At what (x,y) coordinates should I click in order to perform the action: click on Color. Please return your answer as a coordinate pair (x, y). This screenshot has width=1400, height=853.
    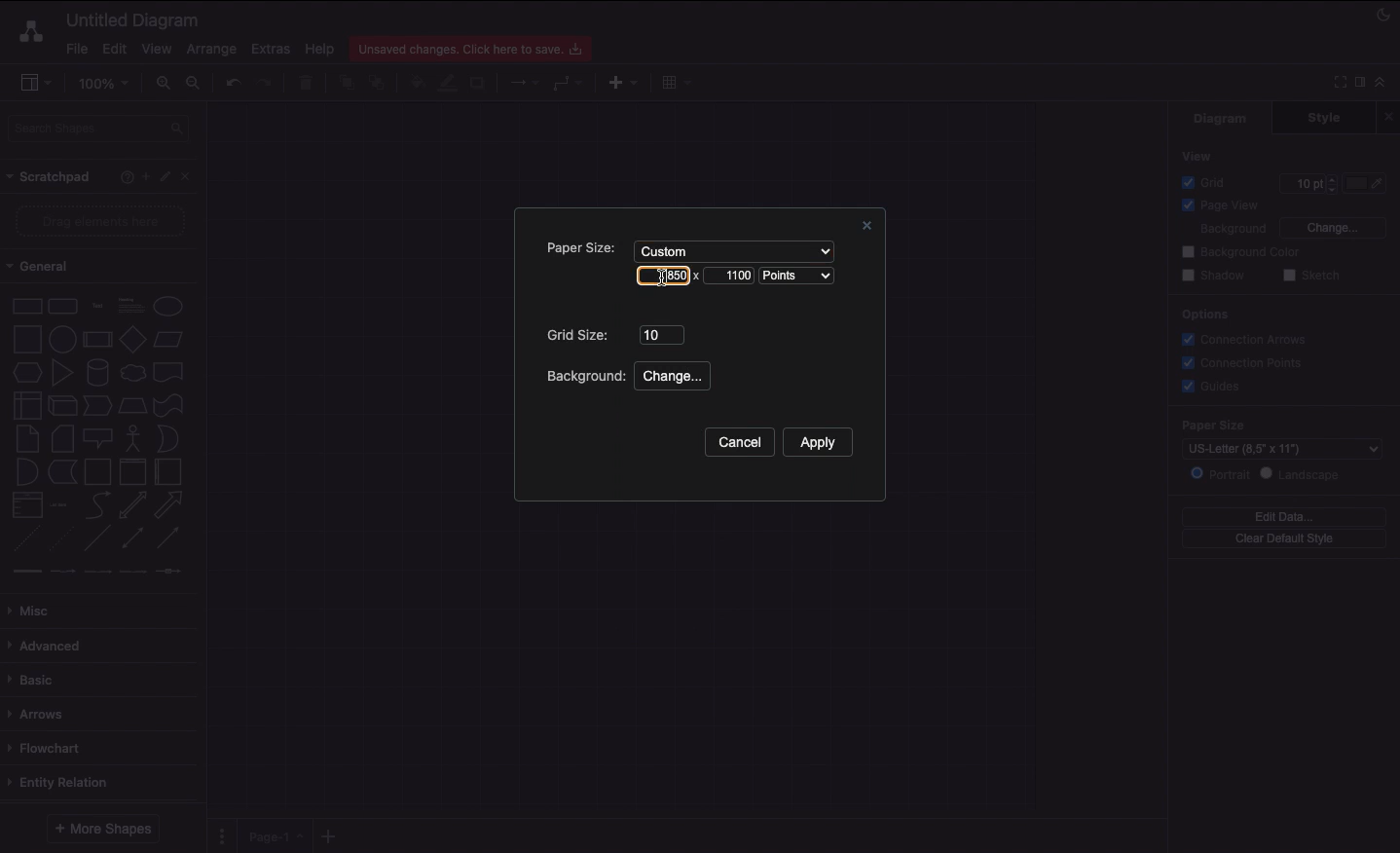
    Looking at the image, I should click on (1367, 183).